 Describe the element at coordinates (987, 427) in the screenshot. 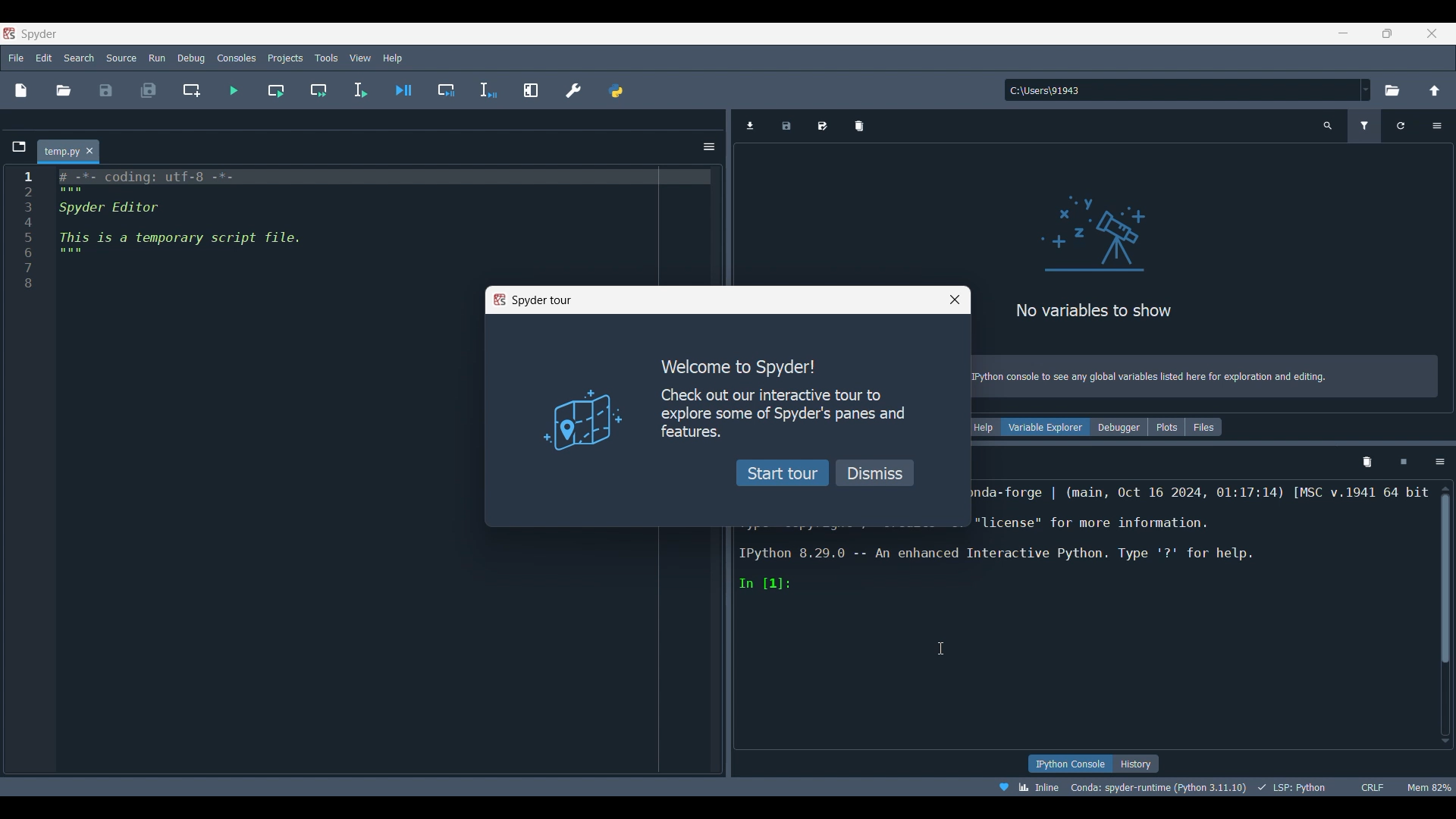

I see `Help` at that location.